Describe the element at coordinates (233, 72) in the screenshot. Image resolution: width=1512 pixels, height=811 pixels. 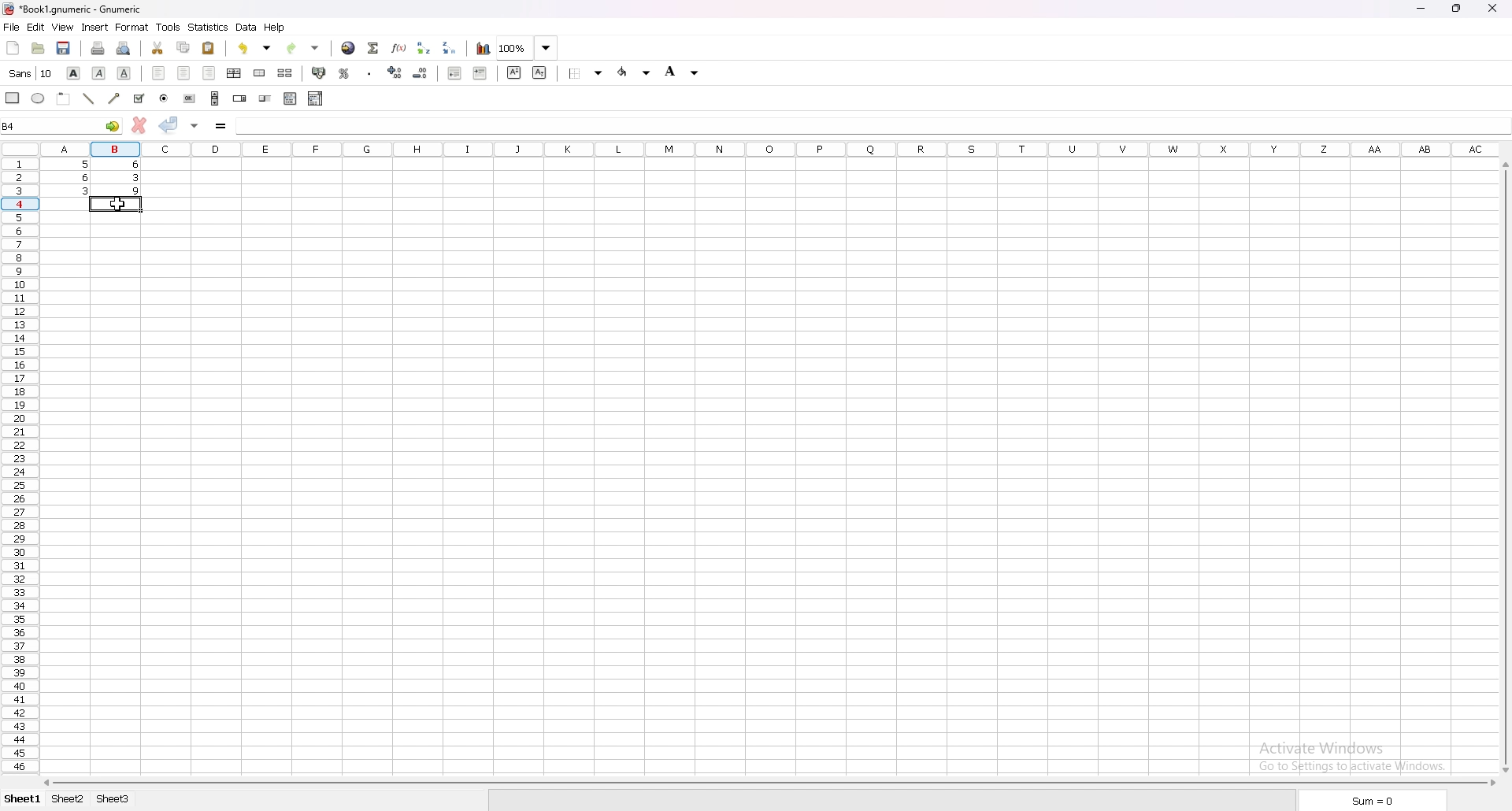
I see `center horizontally` at that location.